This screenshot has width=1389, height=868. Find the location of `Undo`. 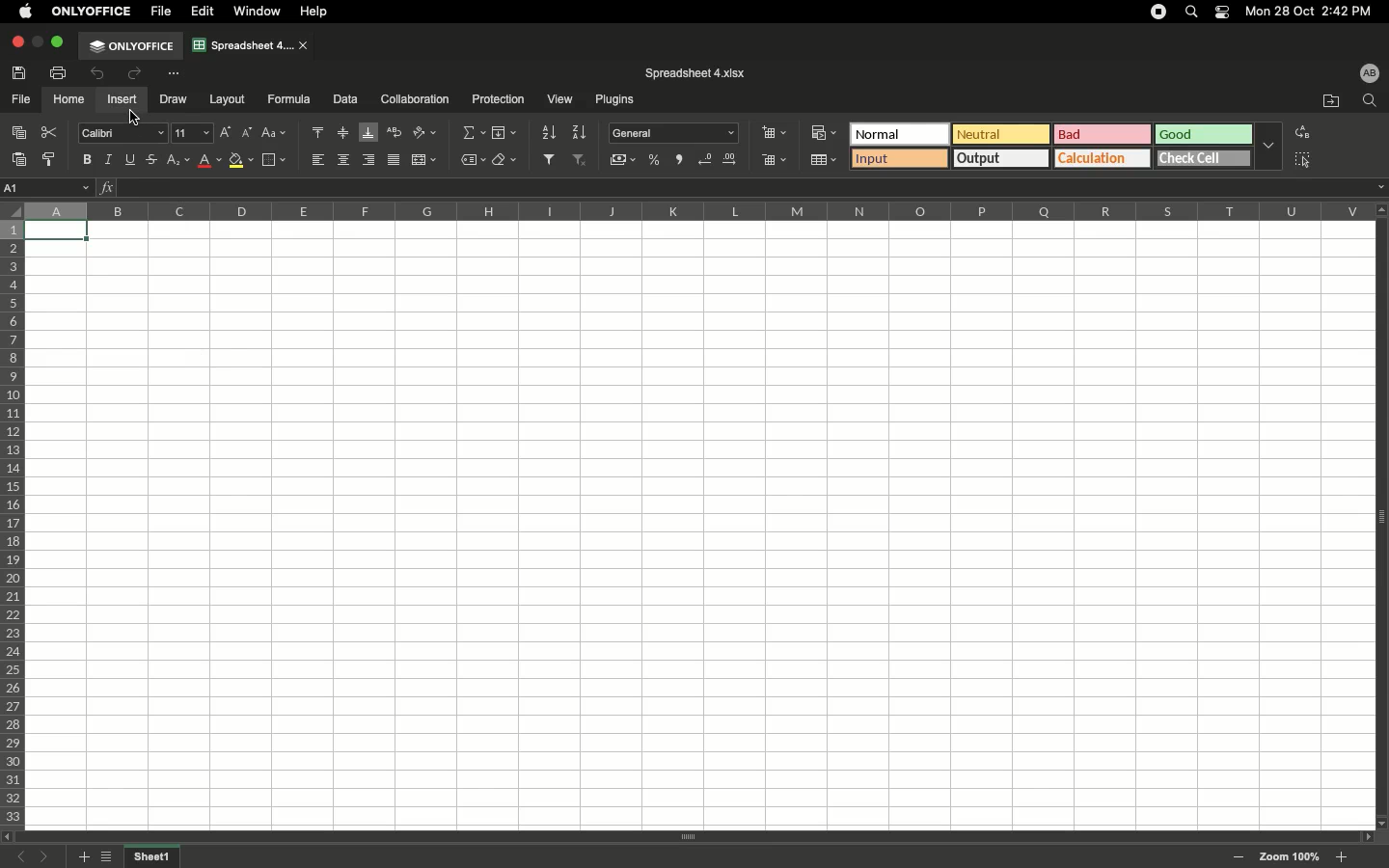

Undo is located at coordinates (99, 75).